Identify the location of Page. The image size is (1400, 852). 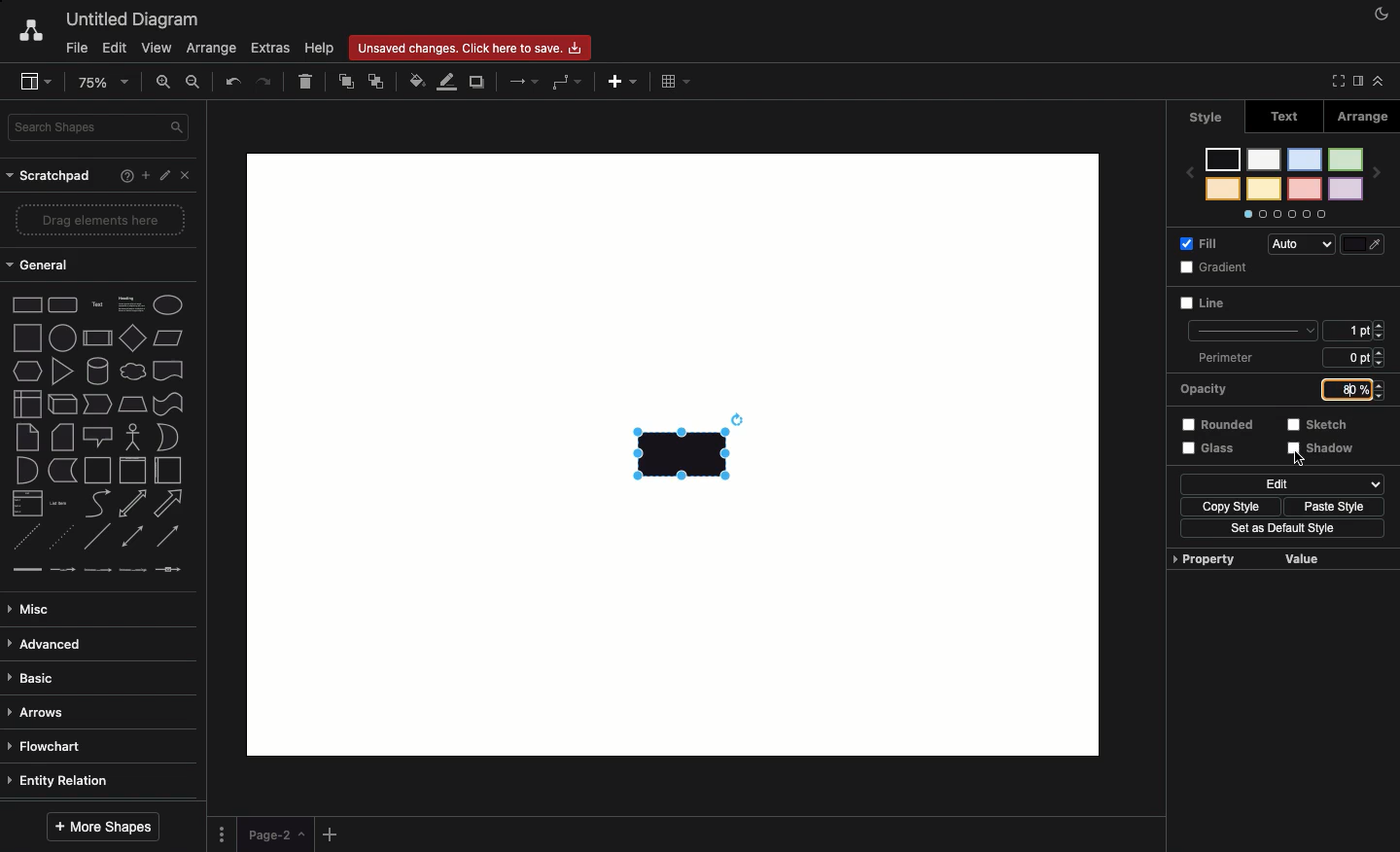
(275, 834).